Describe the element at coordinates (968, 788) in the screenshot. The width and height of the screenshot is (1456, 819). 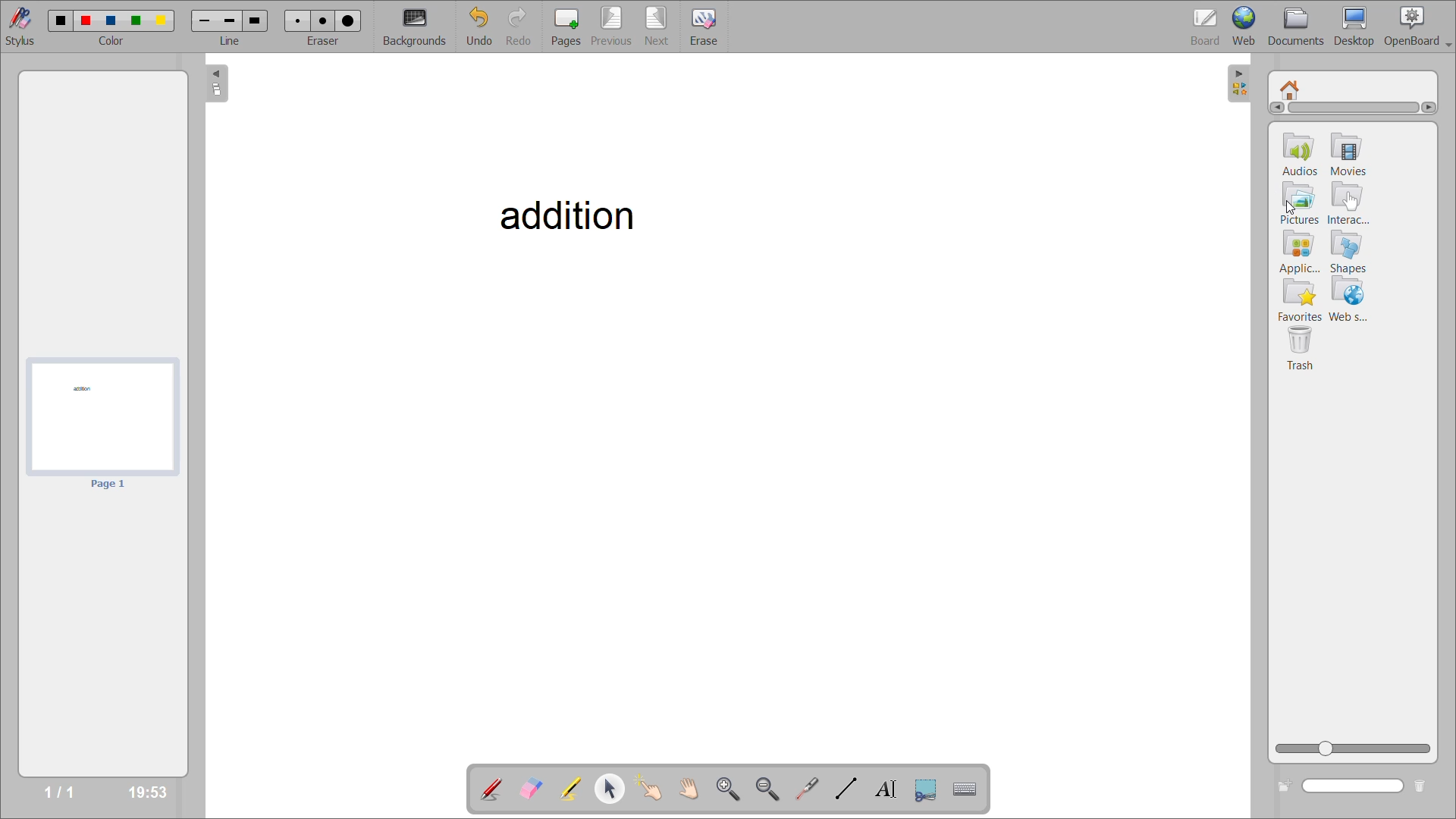
I see `display virtual keyboard` at that location.